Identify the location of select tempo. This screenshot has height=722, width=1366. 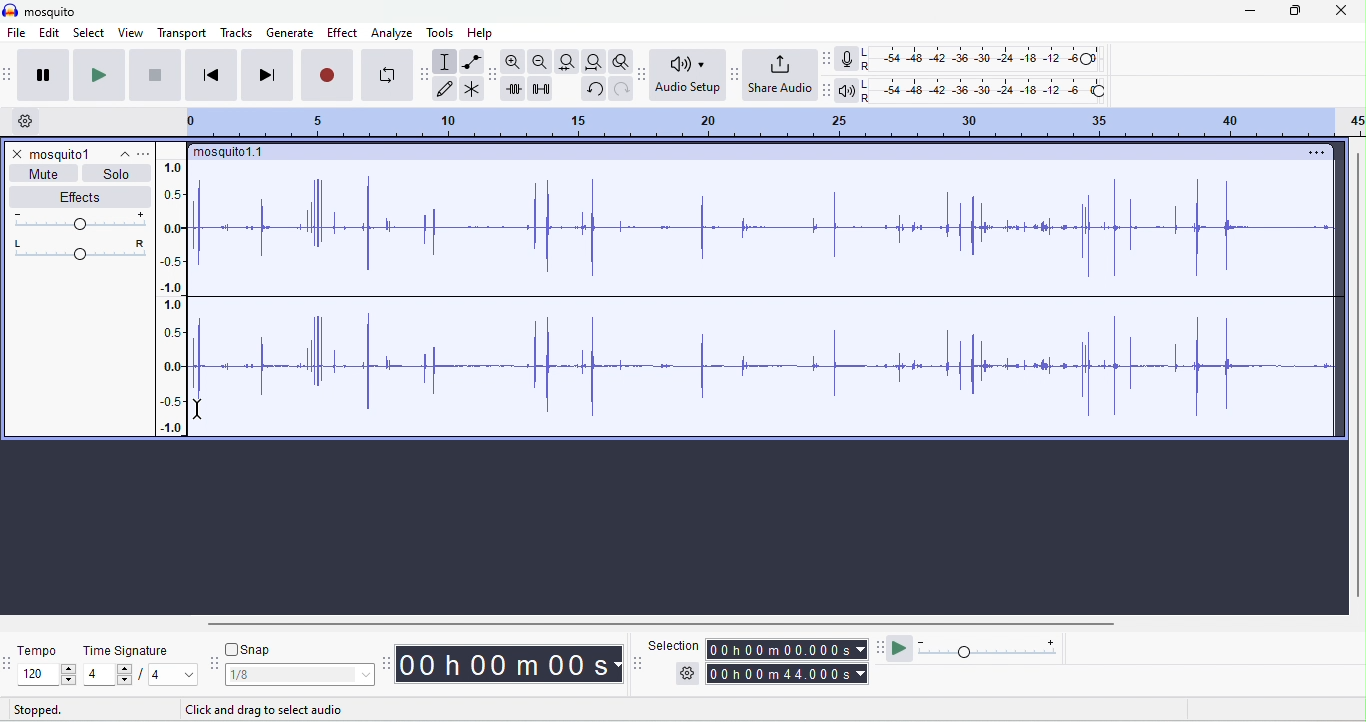
(45, 674).